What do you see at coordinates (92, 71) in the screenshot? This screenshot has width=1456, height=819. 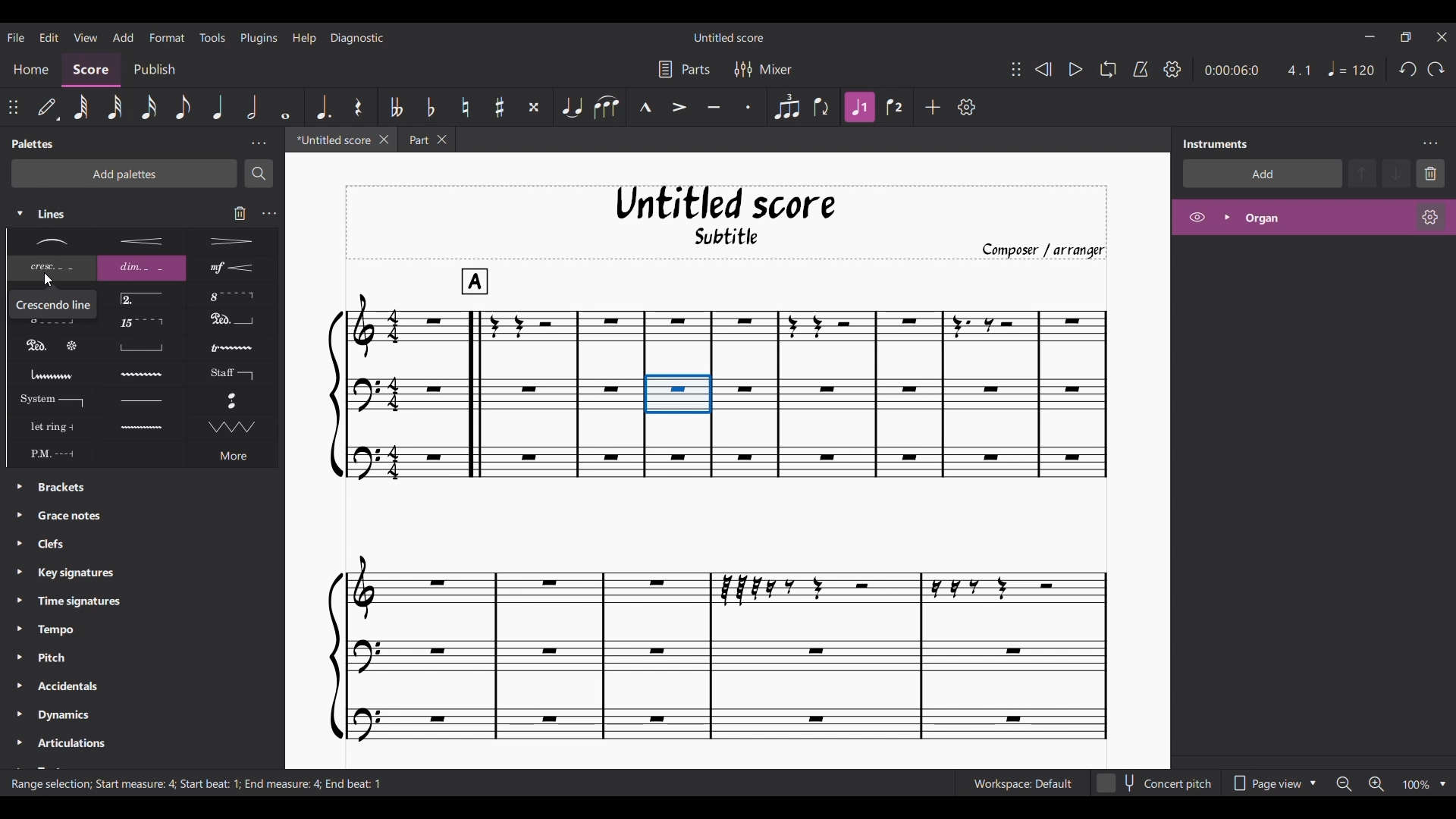 I see `Score, current section highlighted` at bounding box center [92, 71].